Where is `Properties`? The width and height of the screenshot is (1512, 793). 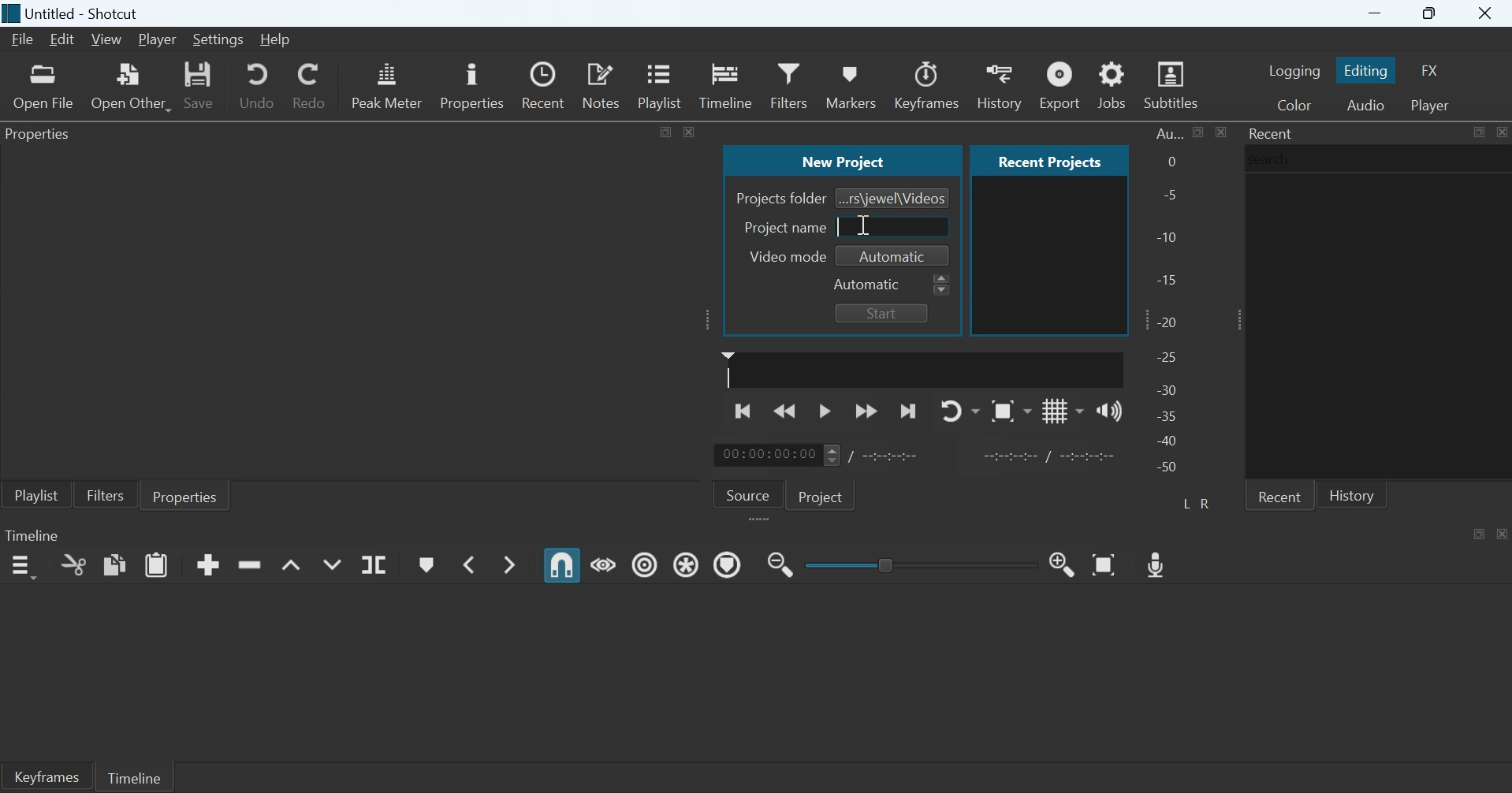 Properties is located at coordinates (185, 495).